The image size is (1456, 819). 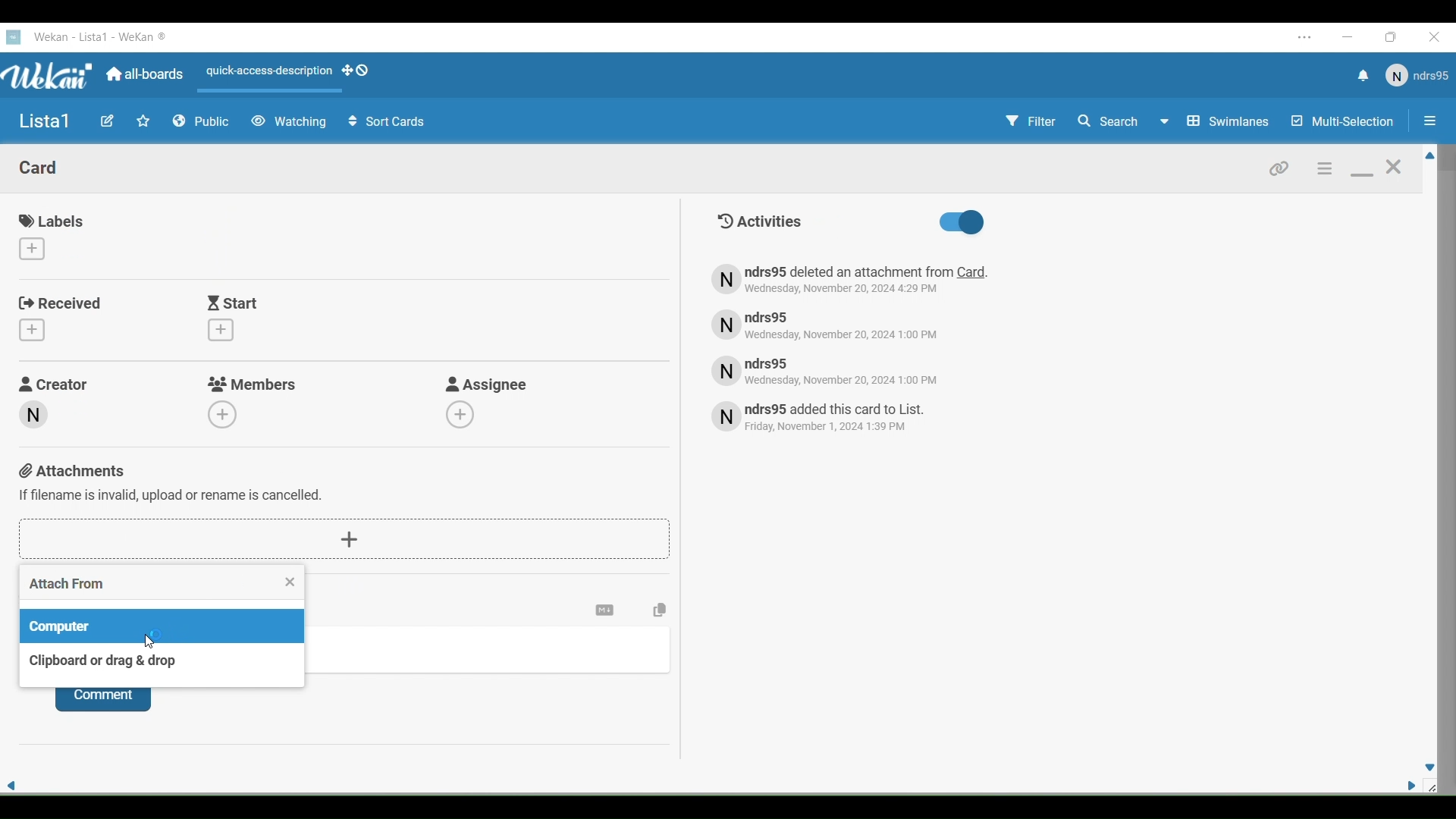 I want to click on Copy, so click(x=661, y=610).